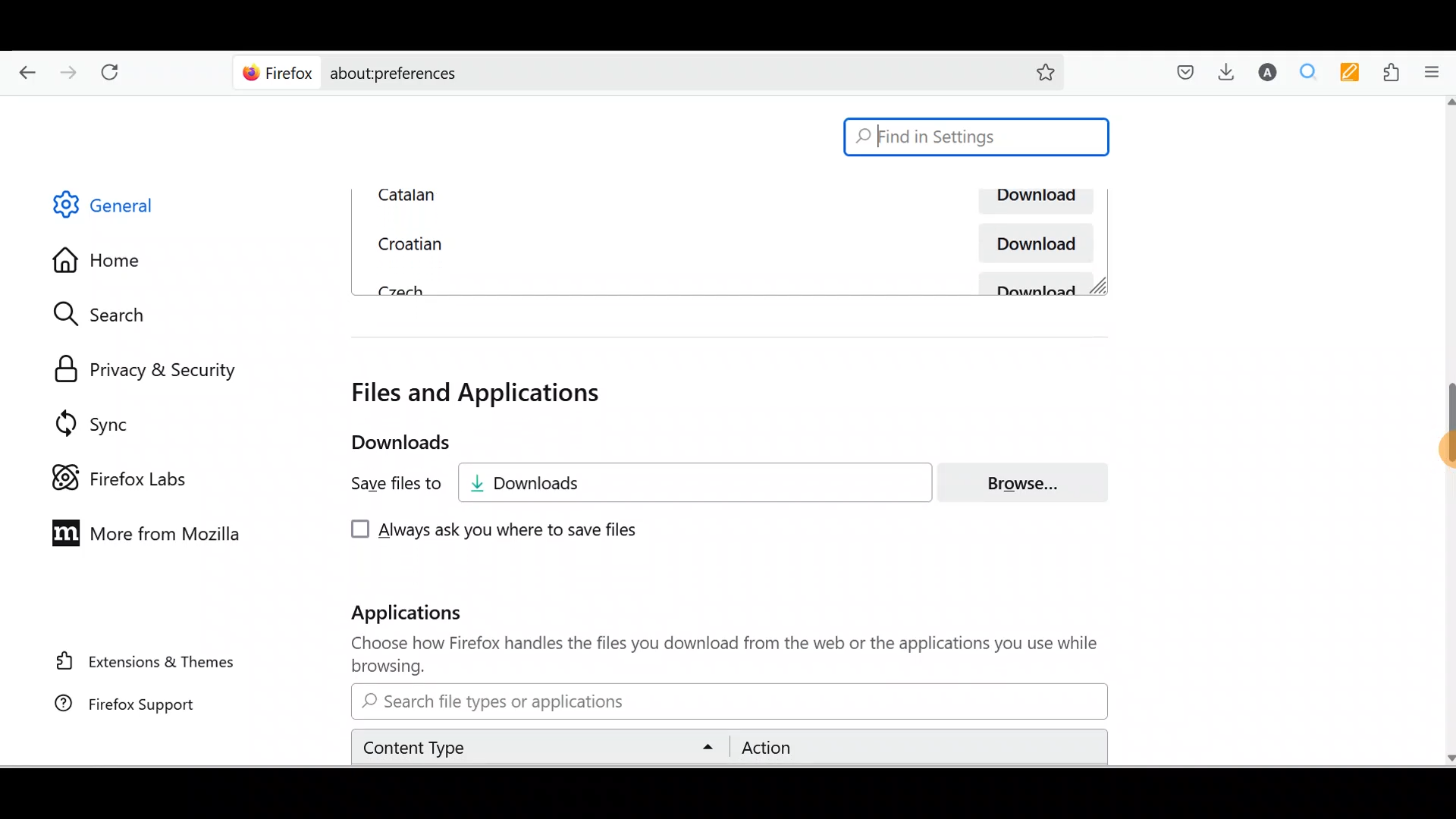  I want to click on Search bar, so click(617, 73).